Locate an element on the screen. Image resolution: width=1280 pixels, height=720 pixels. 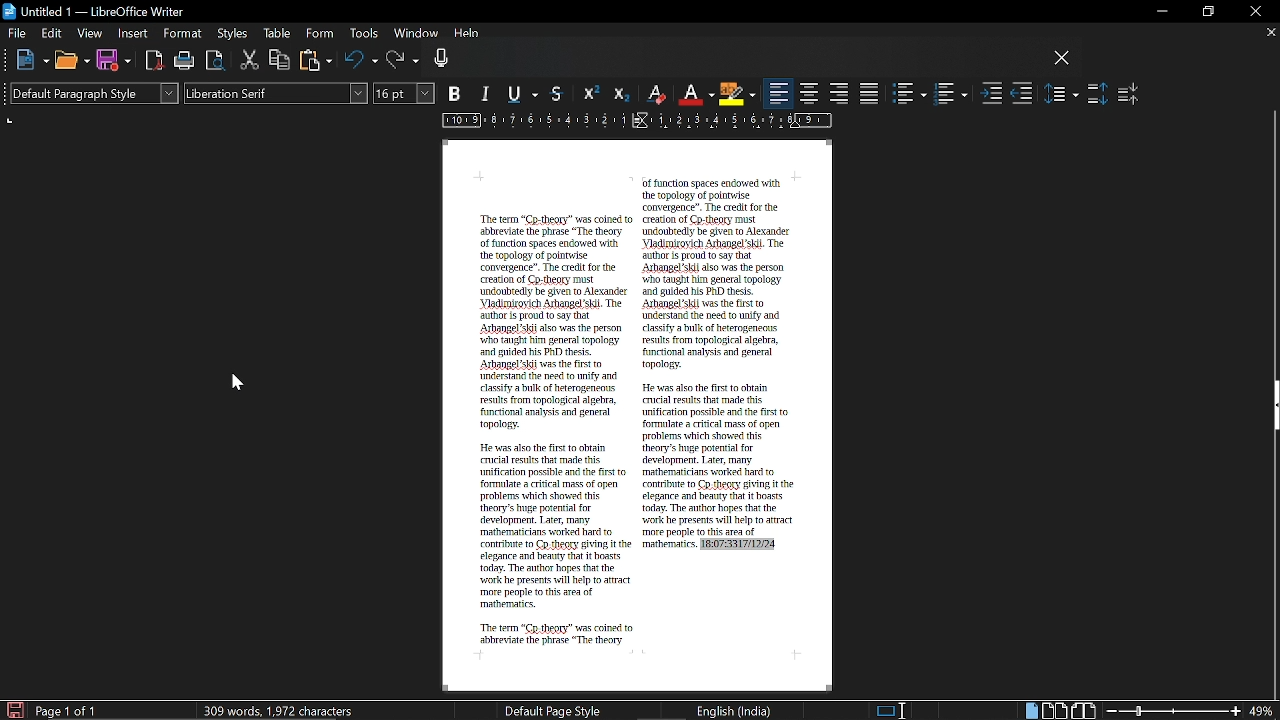
Copy is located at coordinates (280, 59).